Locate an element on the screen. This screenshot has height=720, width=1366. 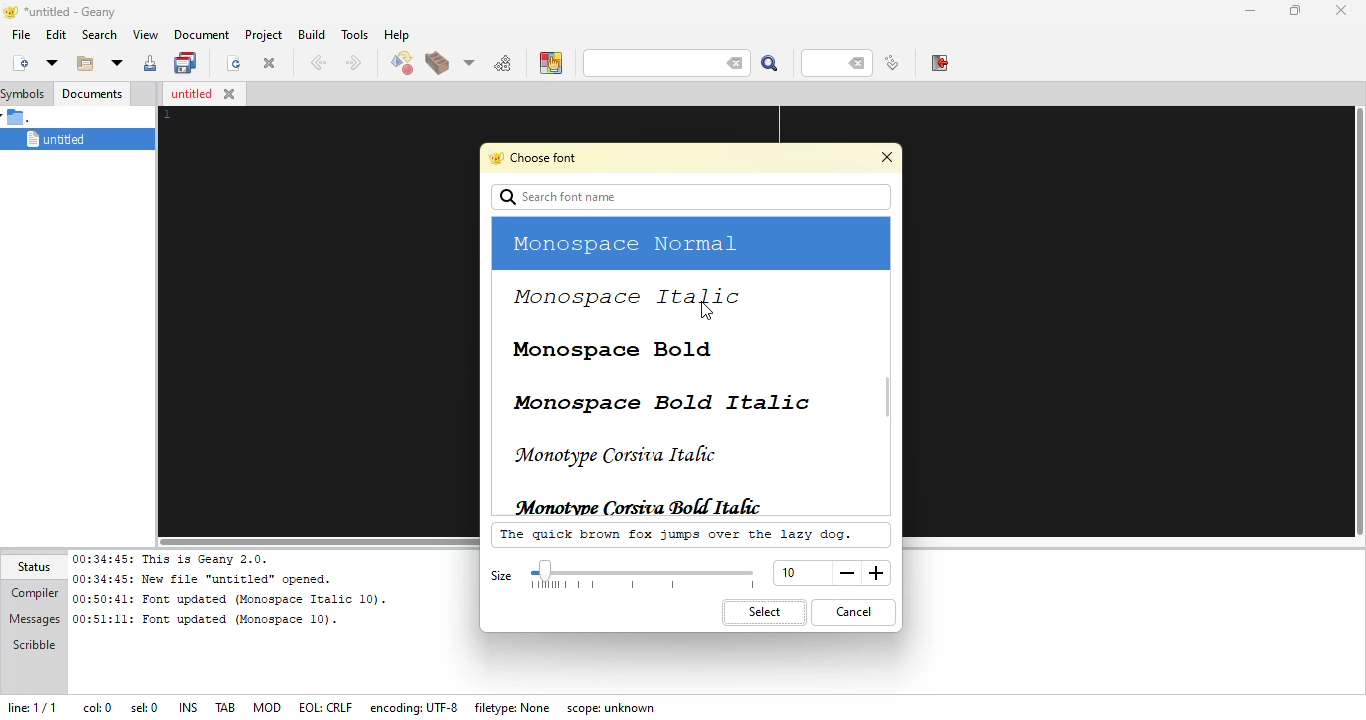
status is located at coordinates (38, 567).